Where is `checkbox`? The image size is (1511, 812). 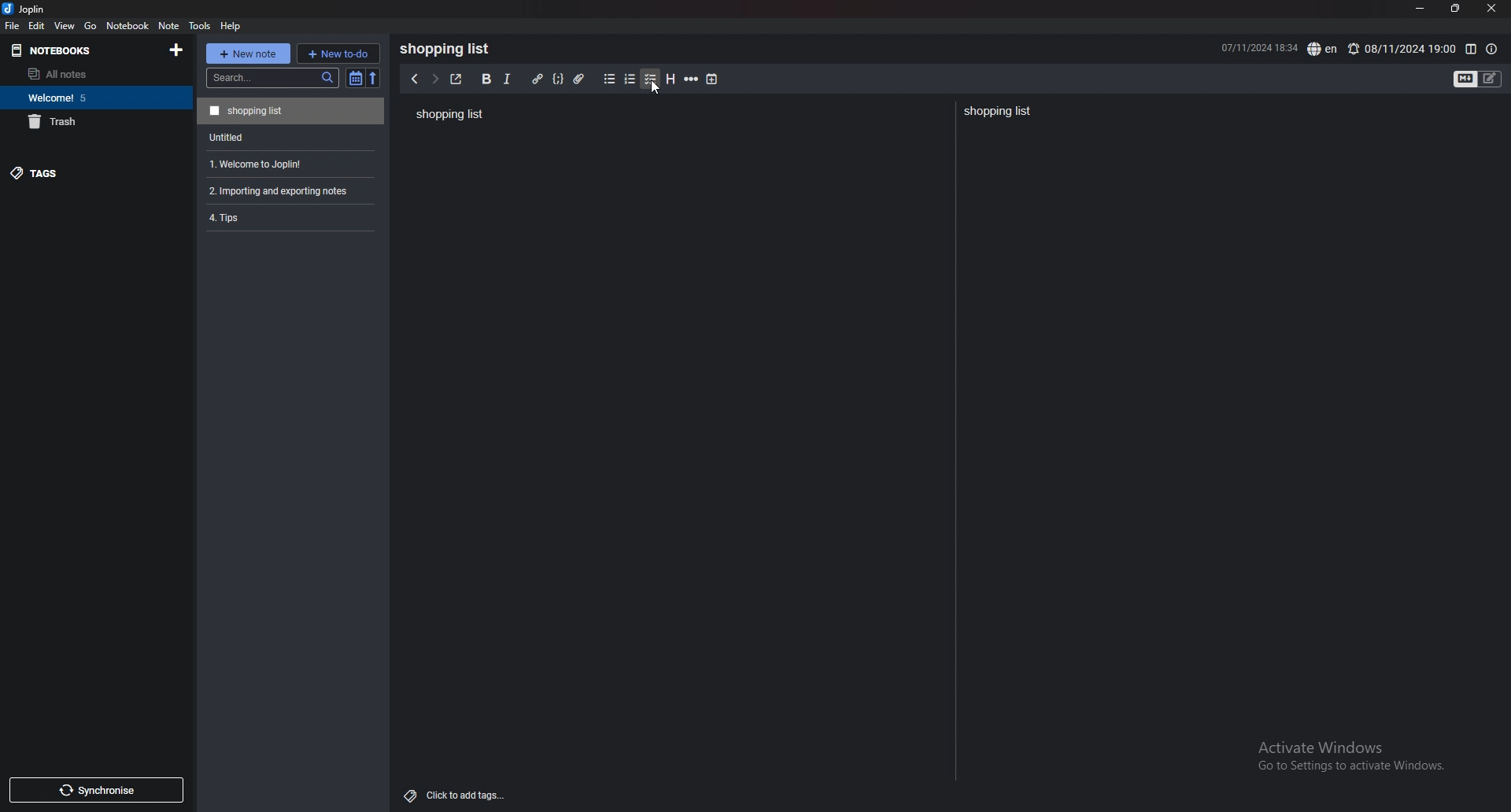
checkbox is located at coordinates (651, 79).